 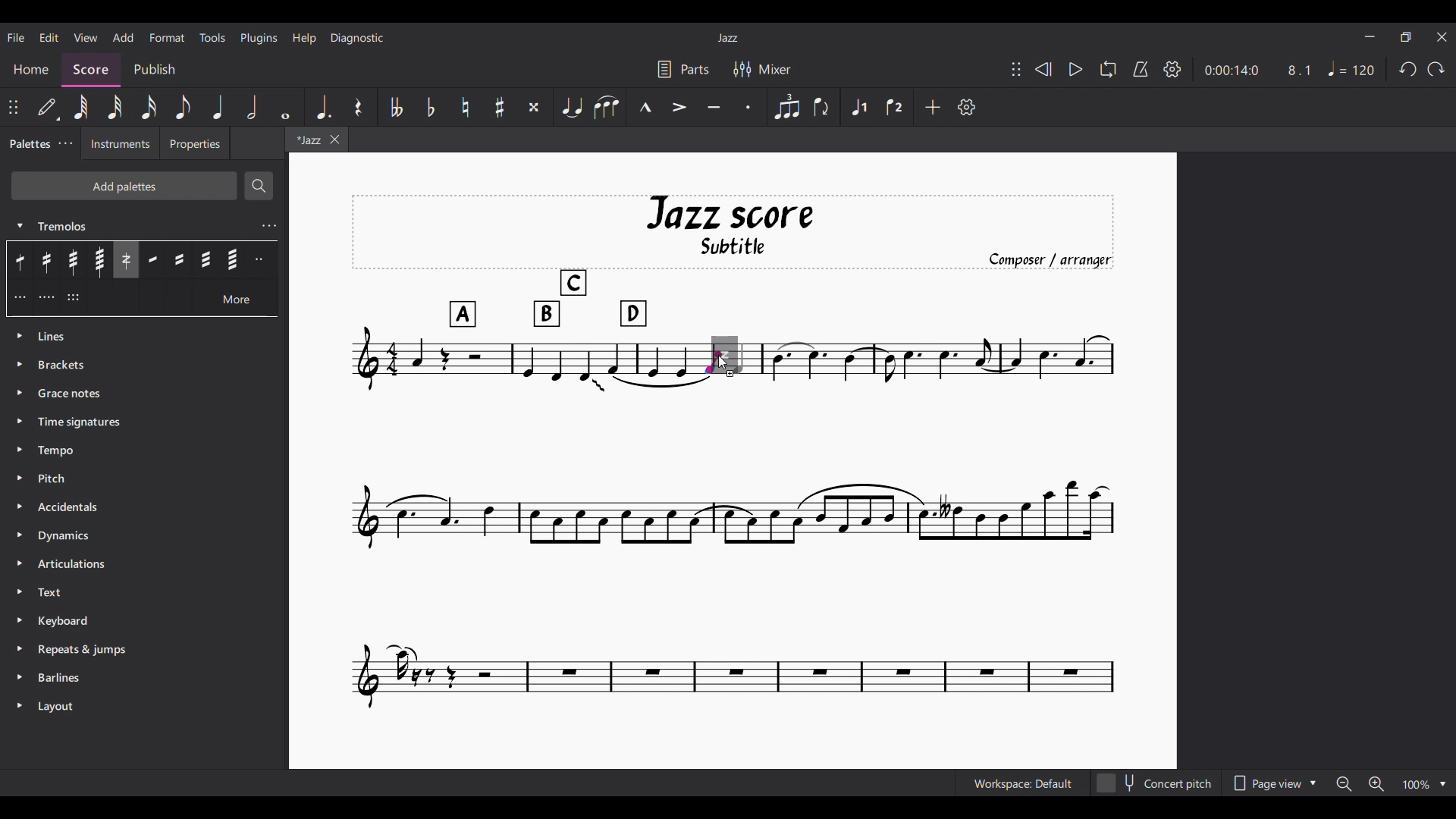 What do you see at coordinates (145, 450) in the screenshot?
I see `Tempo` at bounding box center [145, 450].